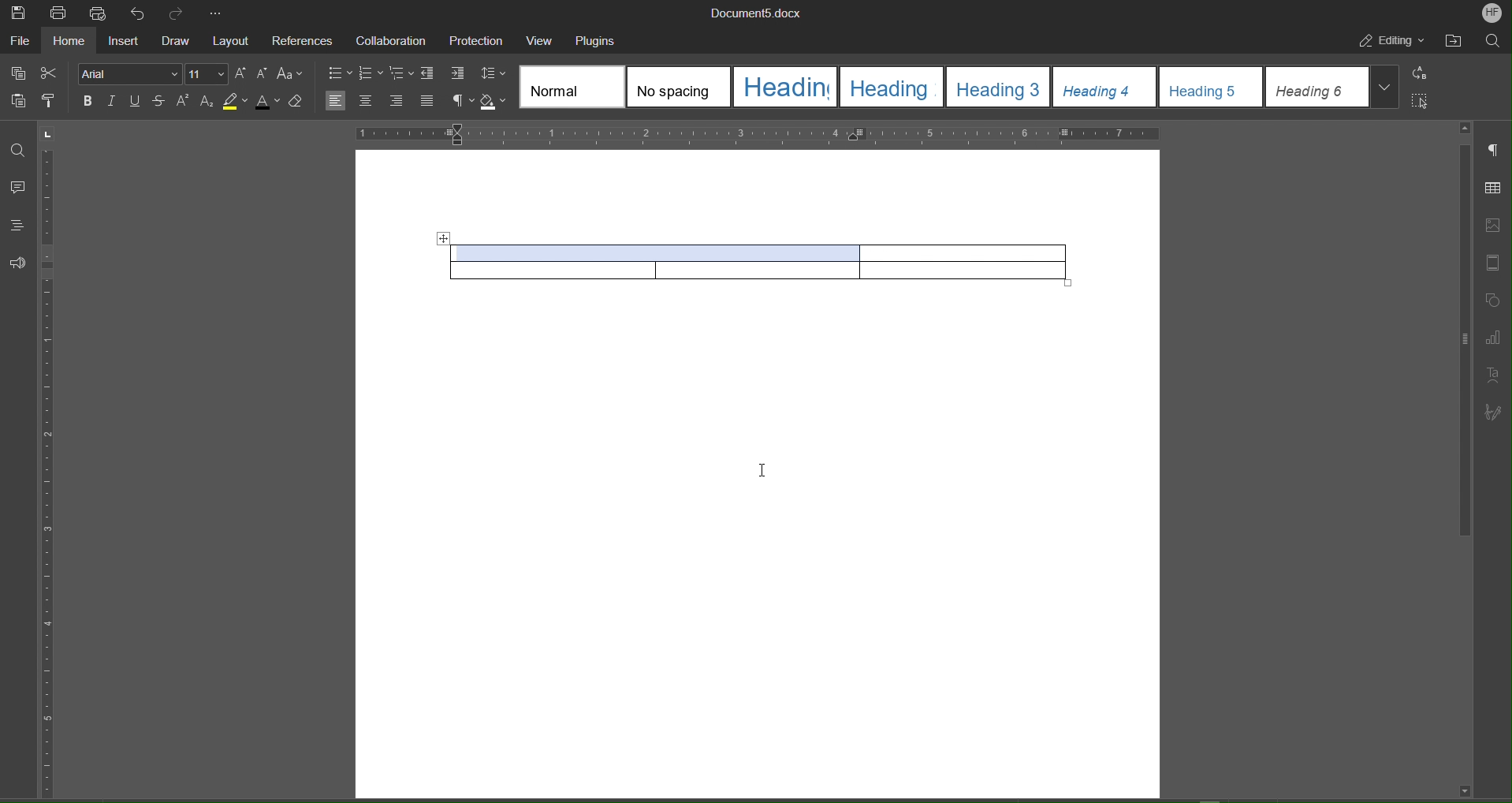 The width and height of the screenshot is (1512, 803). What do you see at coordinates (16, 72) in the screenshot?
I see `Copy` at bounding box center [16, 72].